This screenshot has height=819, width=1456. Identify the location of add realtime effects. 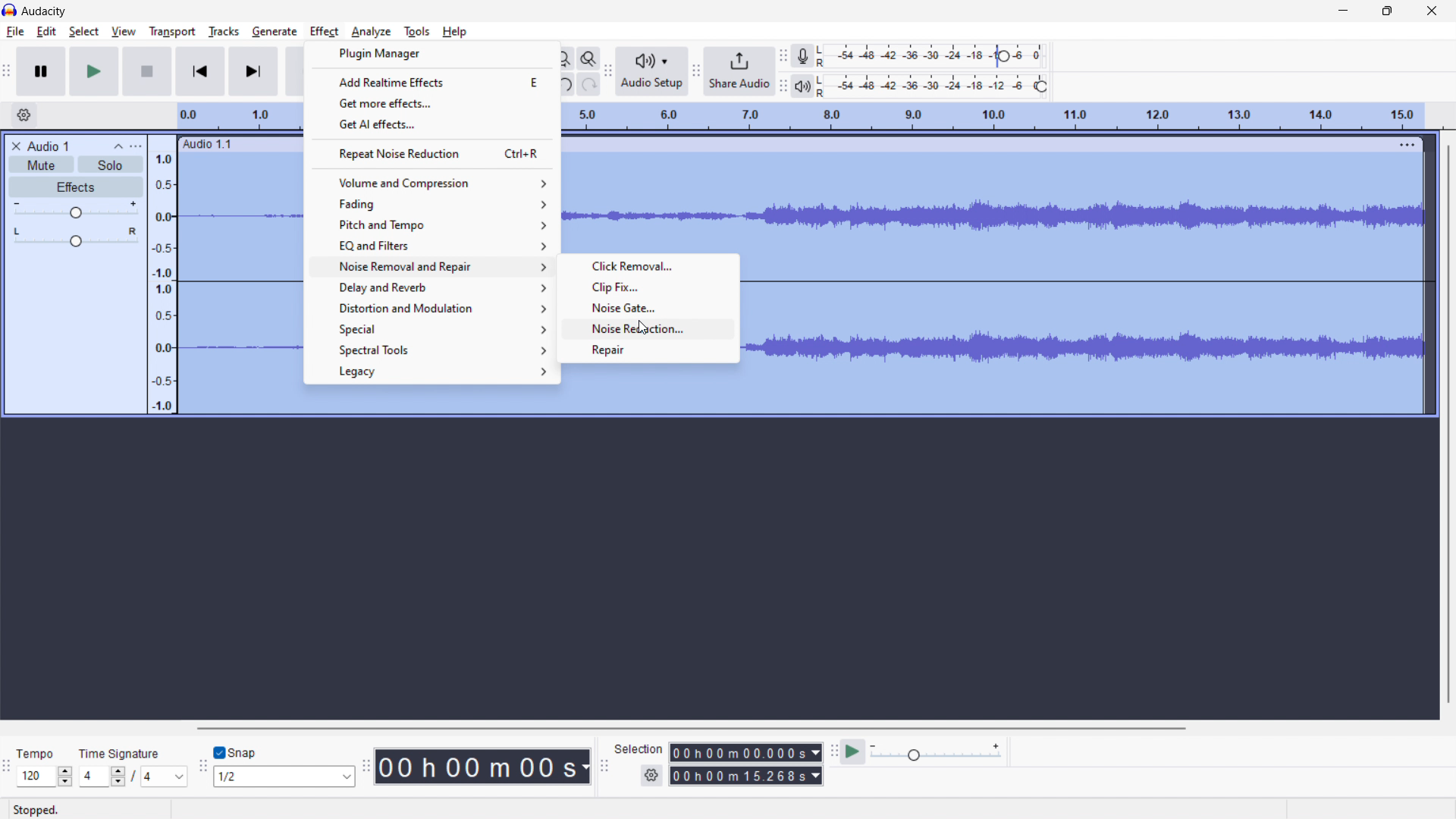
(432, 81).